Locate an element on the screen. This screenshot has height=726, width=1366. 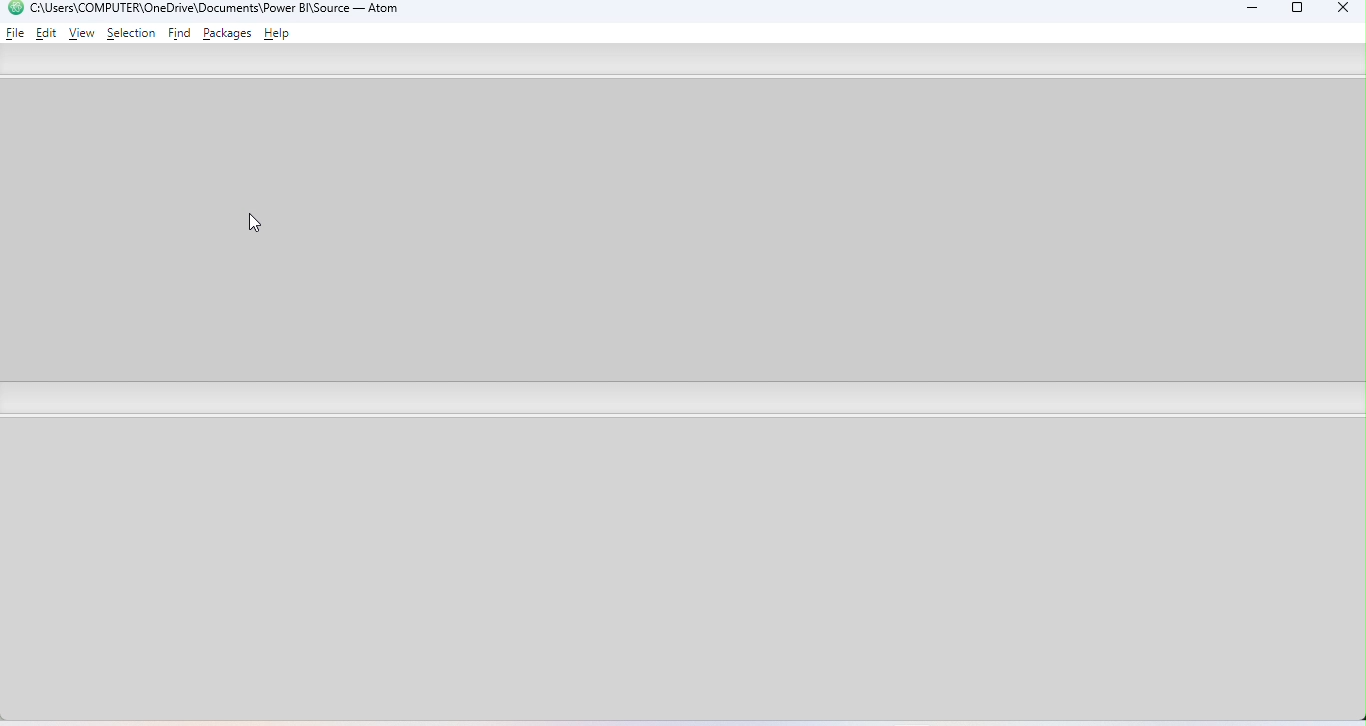
File is located at coordinates (16, 32).